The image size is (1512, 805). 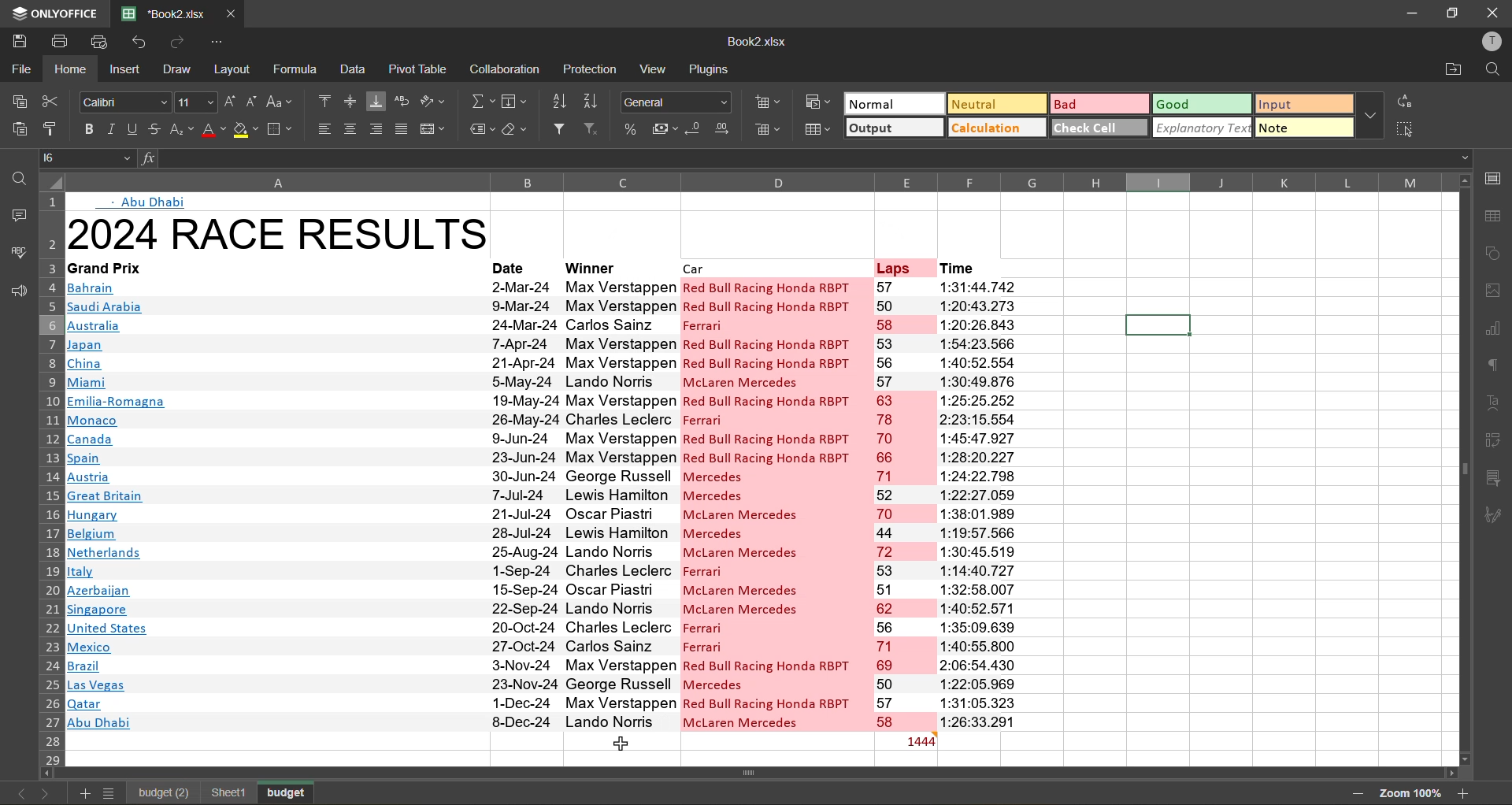 I want to click on good , so click(x=1203, y=105).